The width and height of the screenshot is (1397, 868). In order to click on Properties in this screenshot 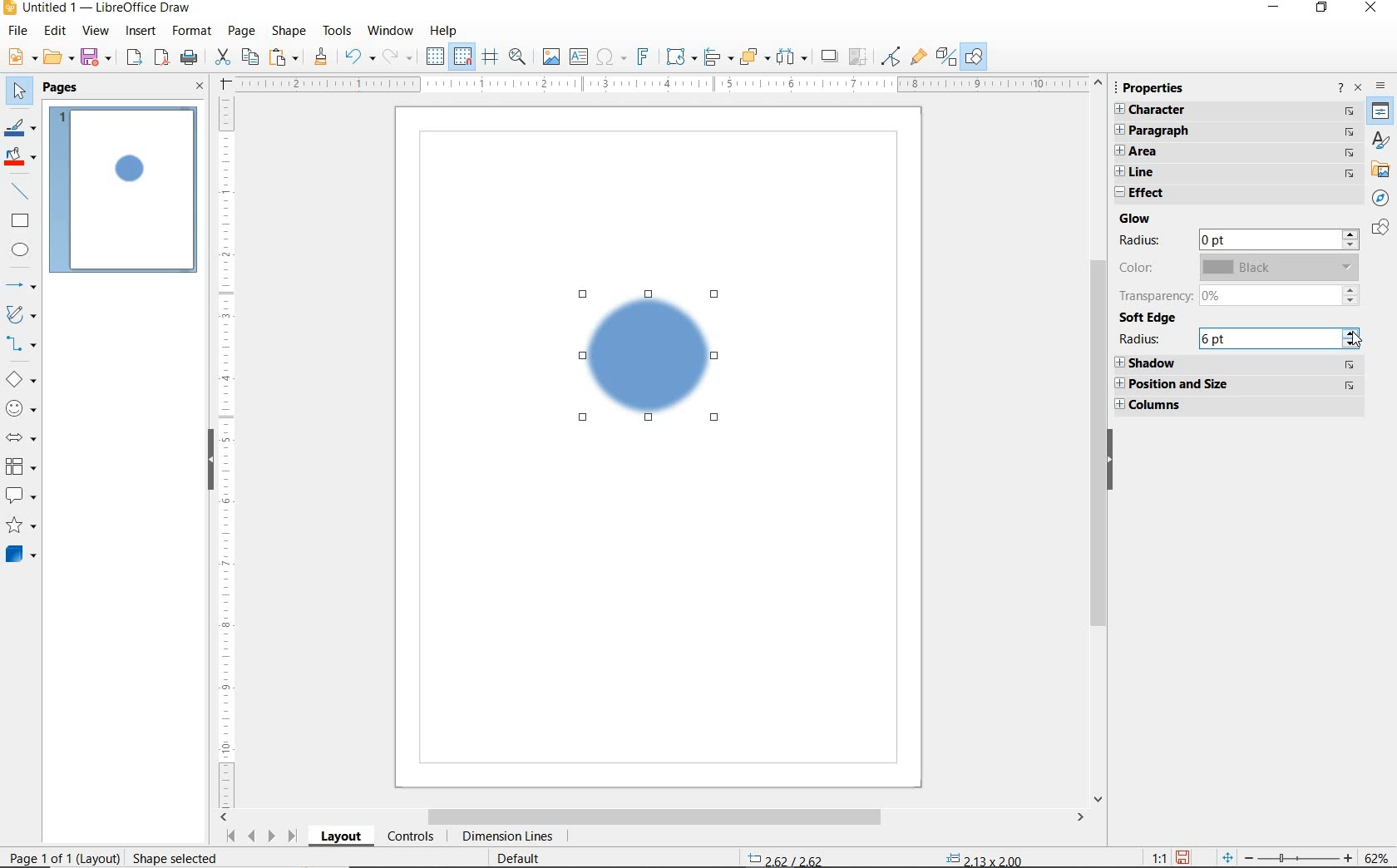, I will do `click(1380, 114)`.